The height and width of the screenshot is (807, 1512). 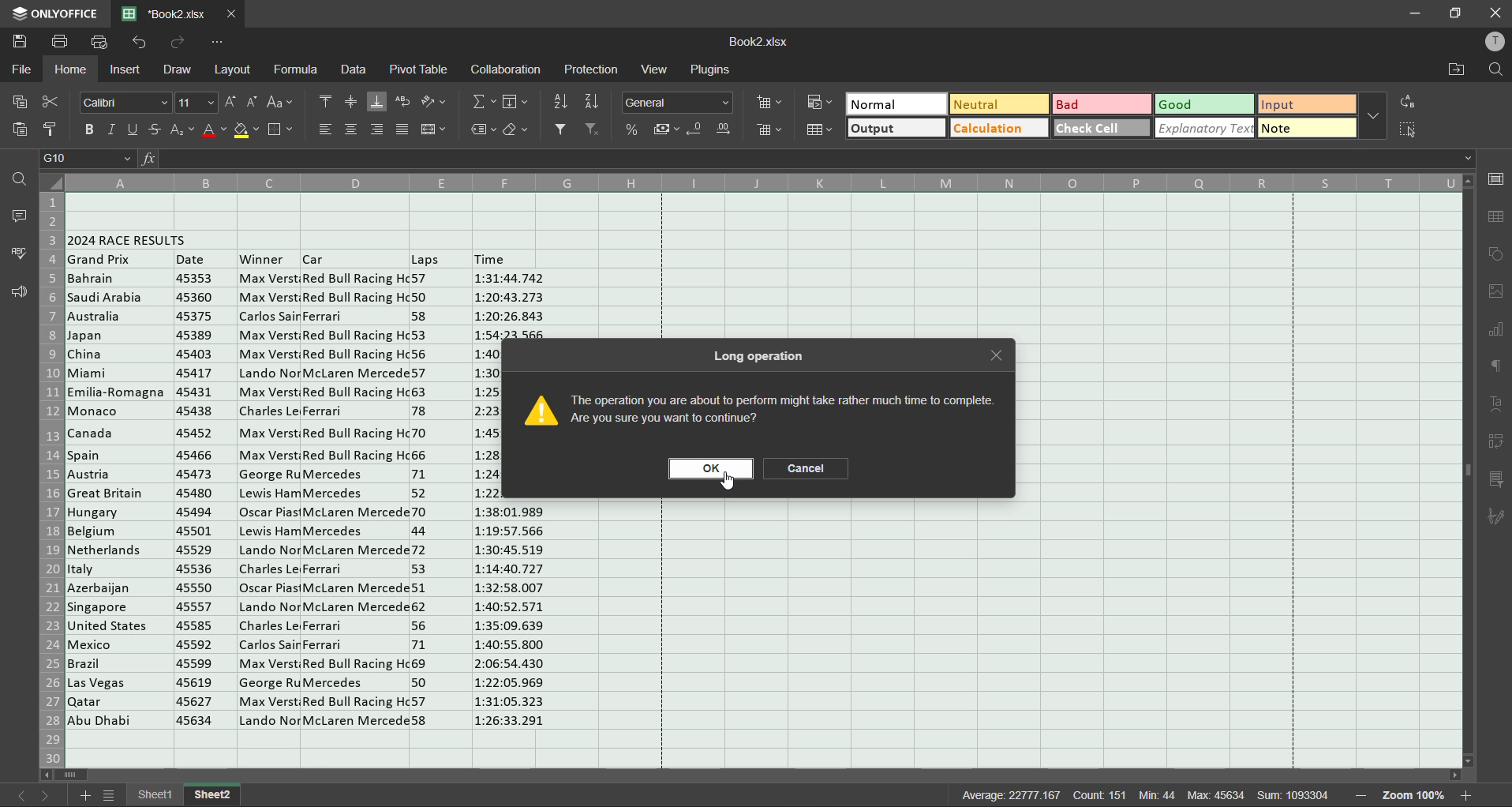 What do you see at coordinates (494, 259) in the screenshot?
I see `time` at bounding box center [494, 259].